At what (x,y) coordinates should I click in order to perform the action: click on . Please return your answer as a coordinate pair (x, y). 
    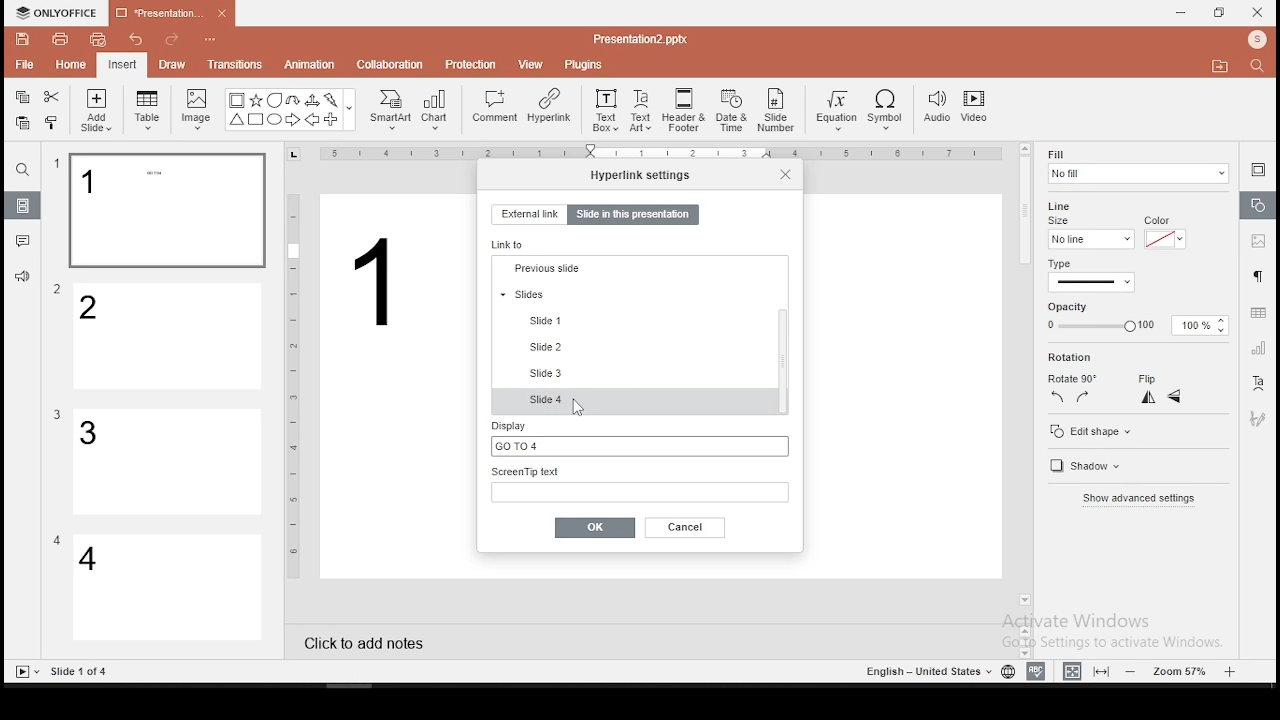
    Looking at the image, I should click on (58, 290).